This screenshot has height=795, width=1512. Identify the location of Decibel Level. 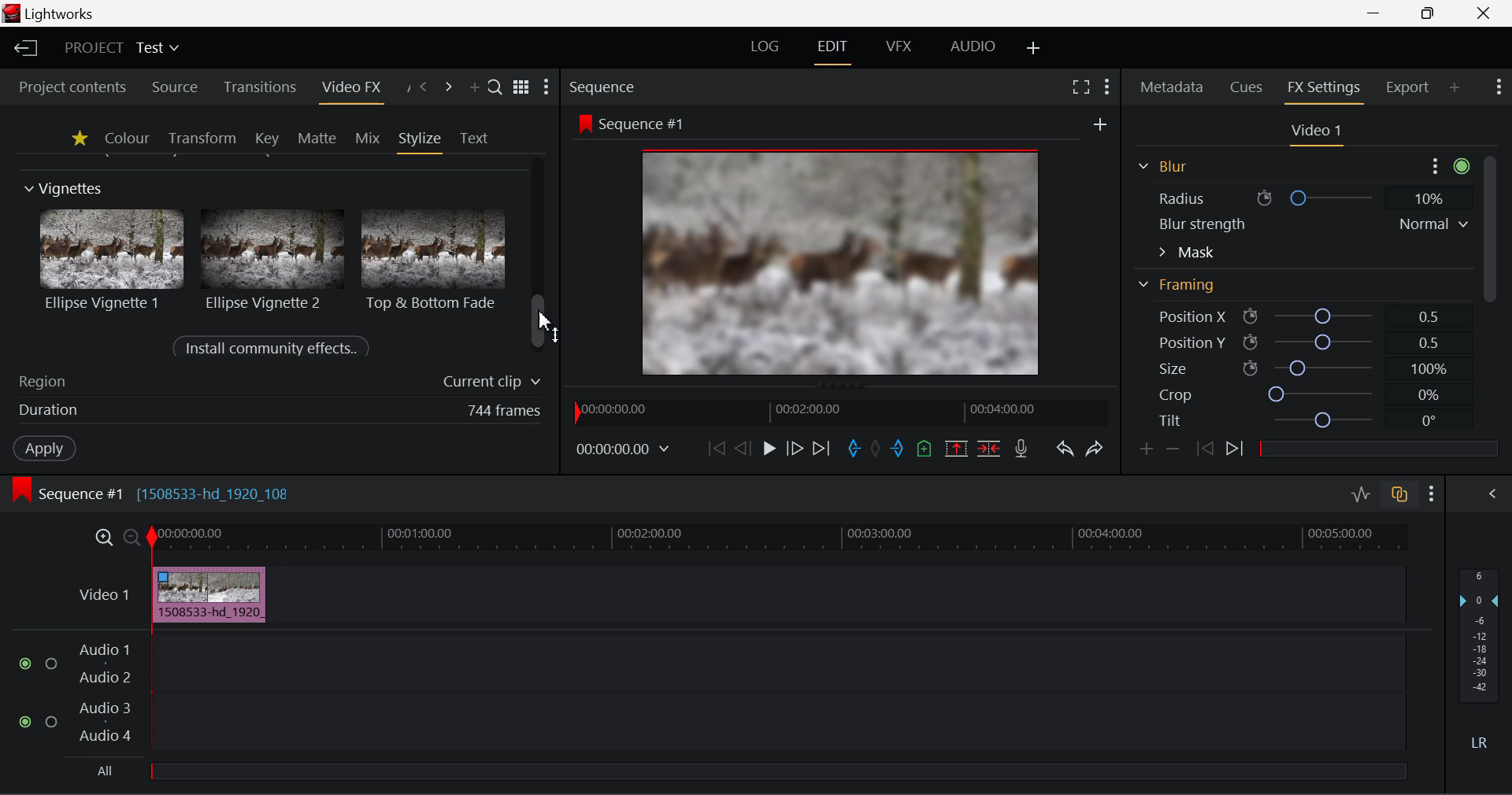
(1480, 664).